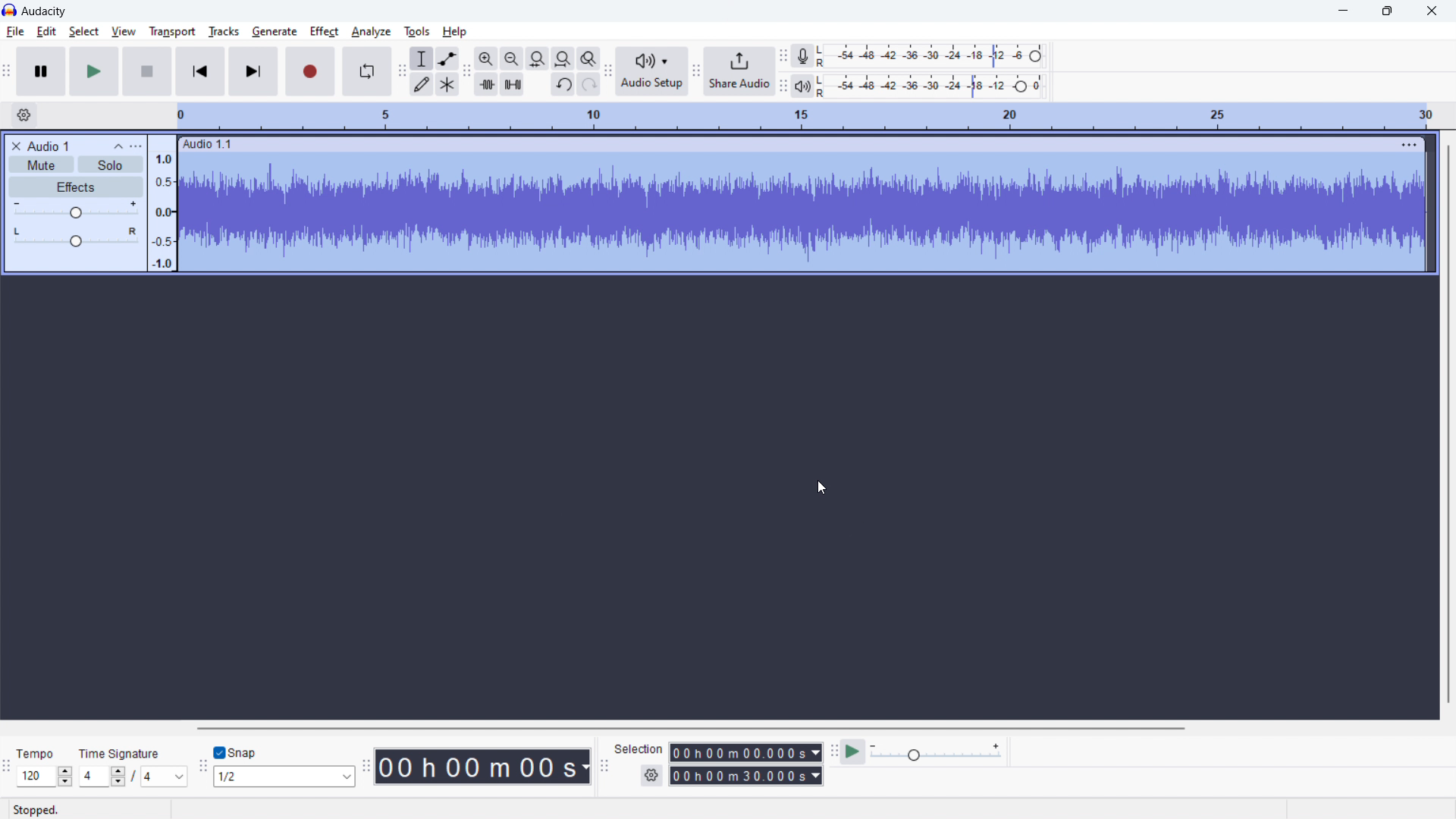 This screenshot has height=819, width=1456. I want to click on share audio toolbar, so click(696, 71).